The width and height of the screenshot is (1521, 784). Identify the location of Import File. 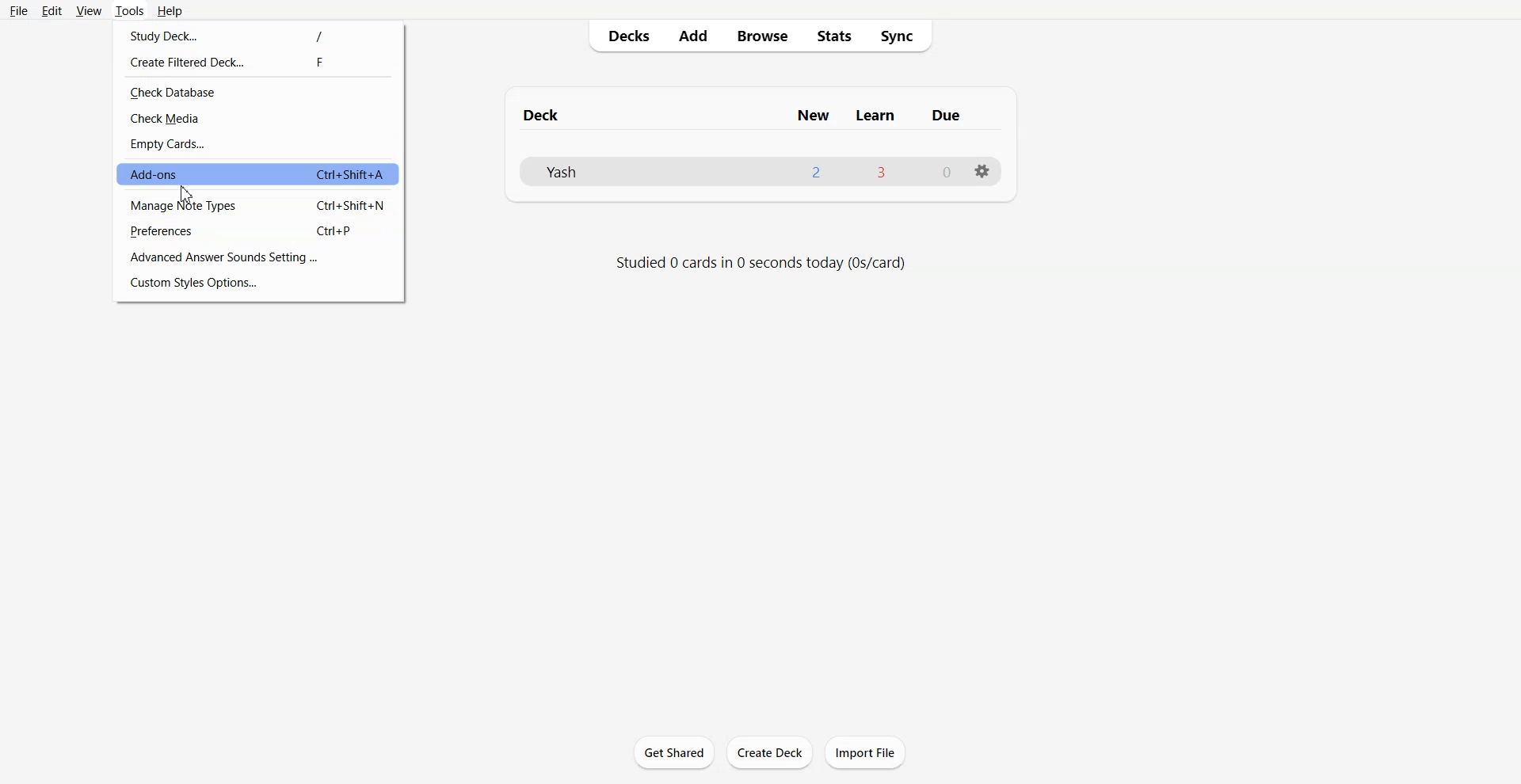
(866, 752).